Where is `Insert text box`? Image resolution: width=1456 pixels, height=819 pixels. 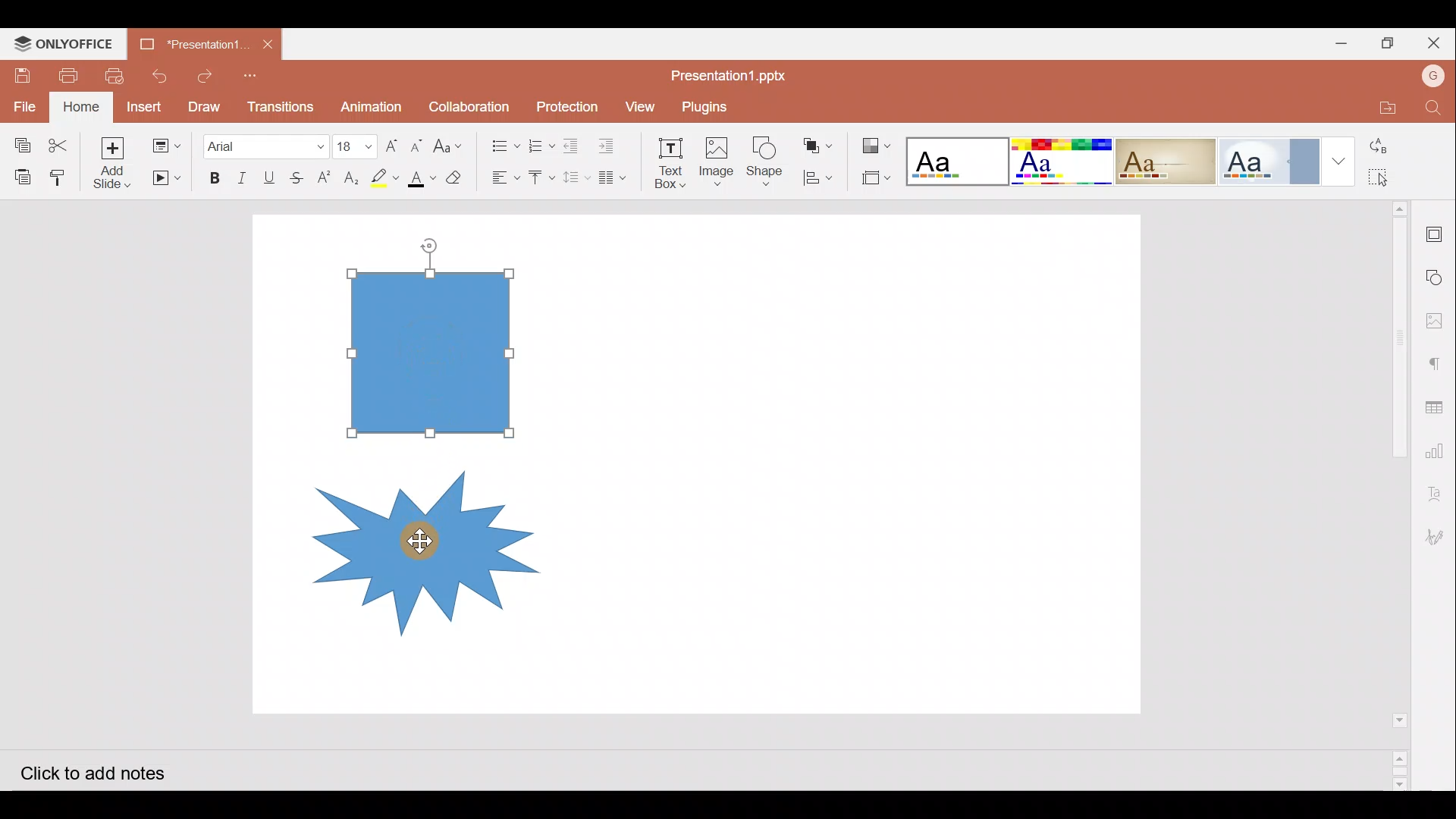
Insert text box is located at coordinates (664, 158).